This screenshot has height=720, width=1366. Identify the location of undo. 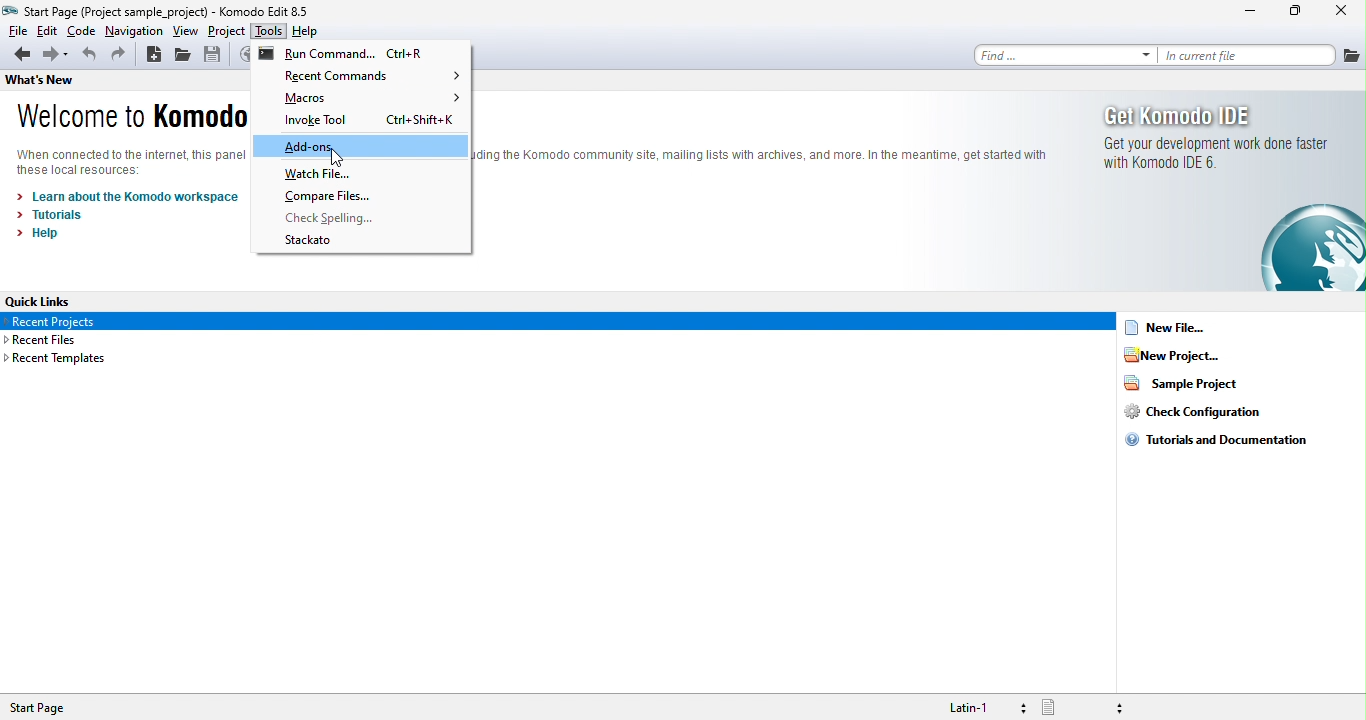
(87, 57).